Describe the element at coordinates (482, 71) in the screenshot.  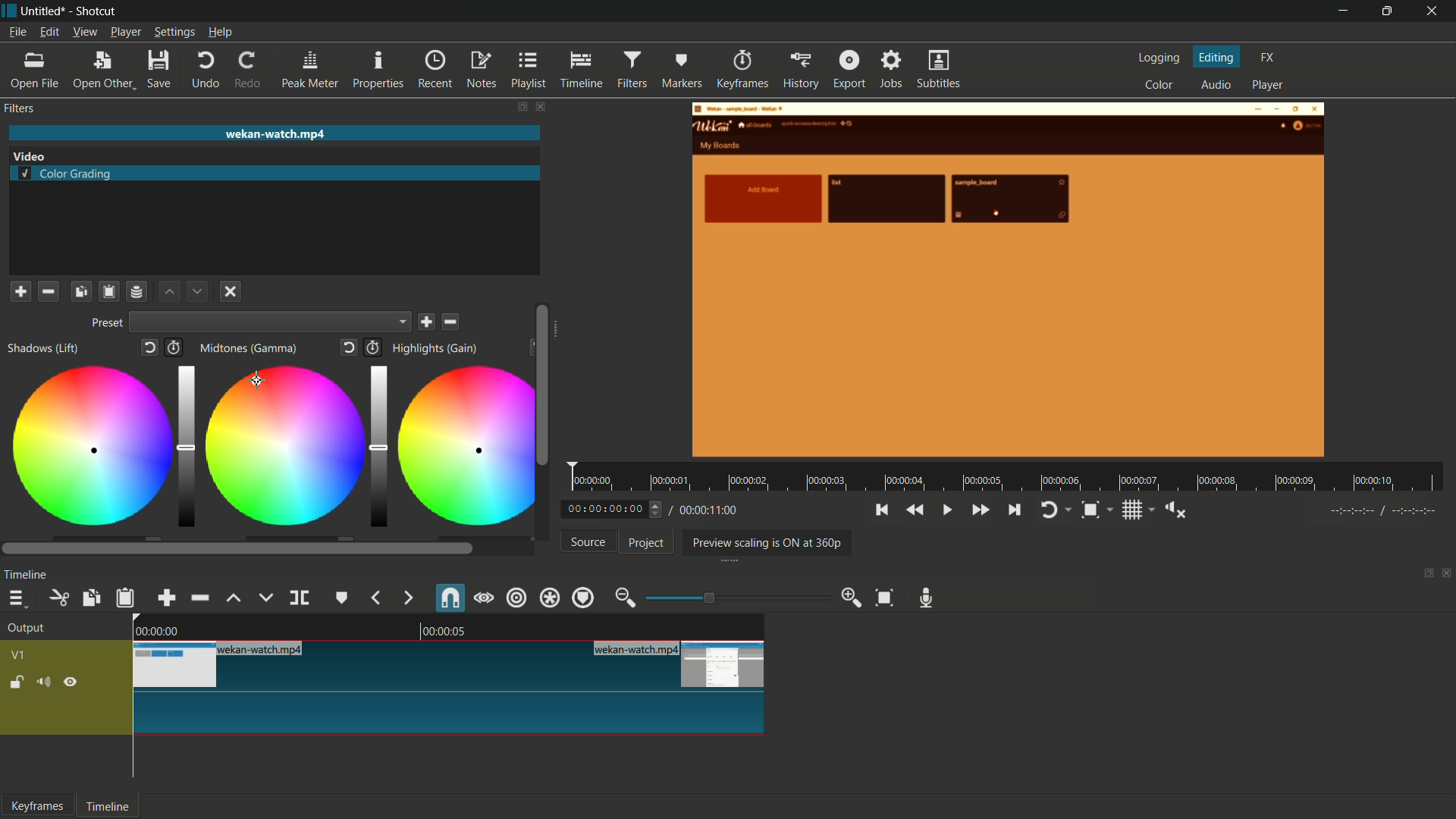
I see `notes` at that location.